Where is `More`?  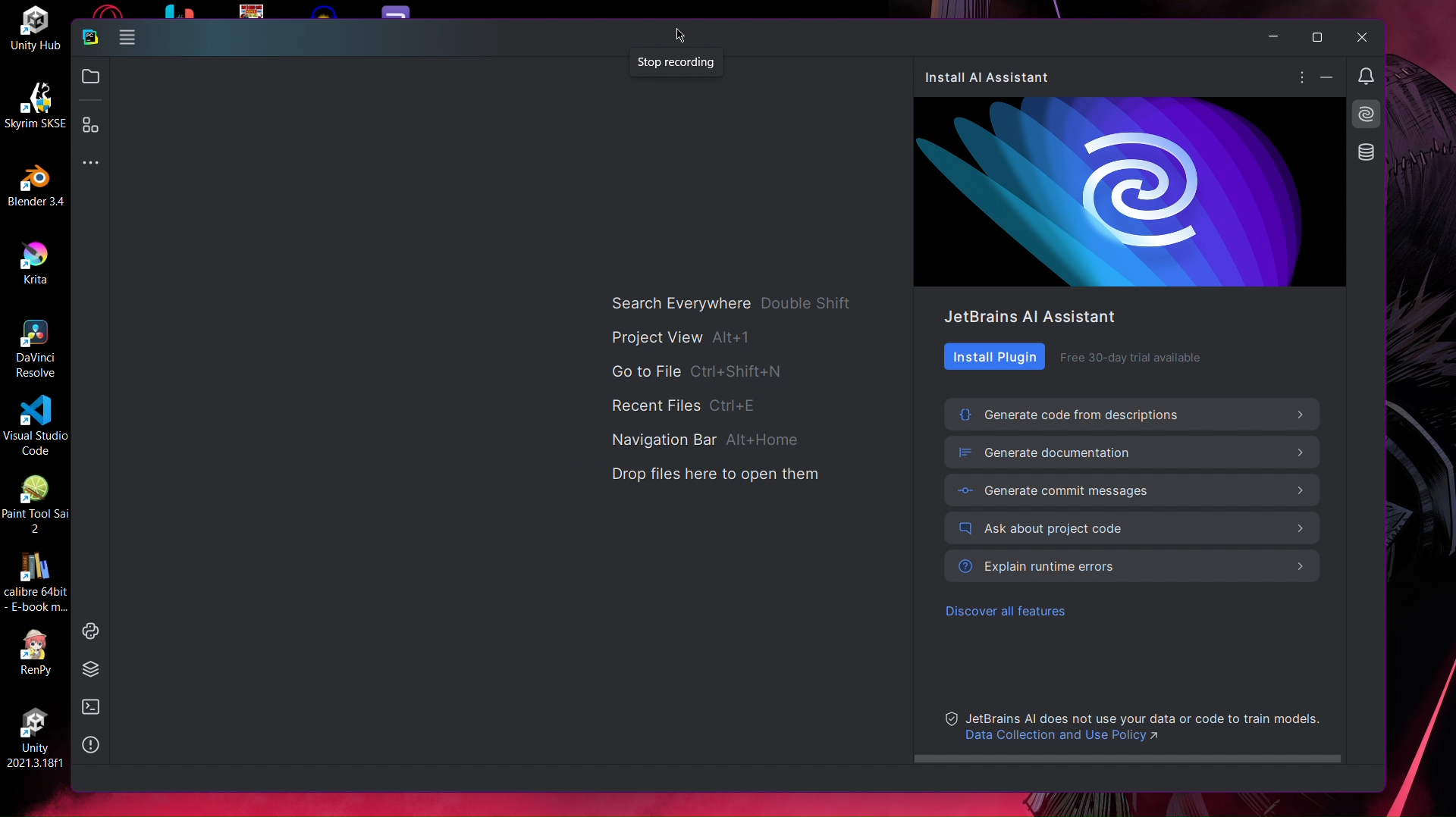 More is located at coordinates (90, 161).